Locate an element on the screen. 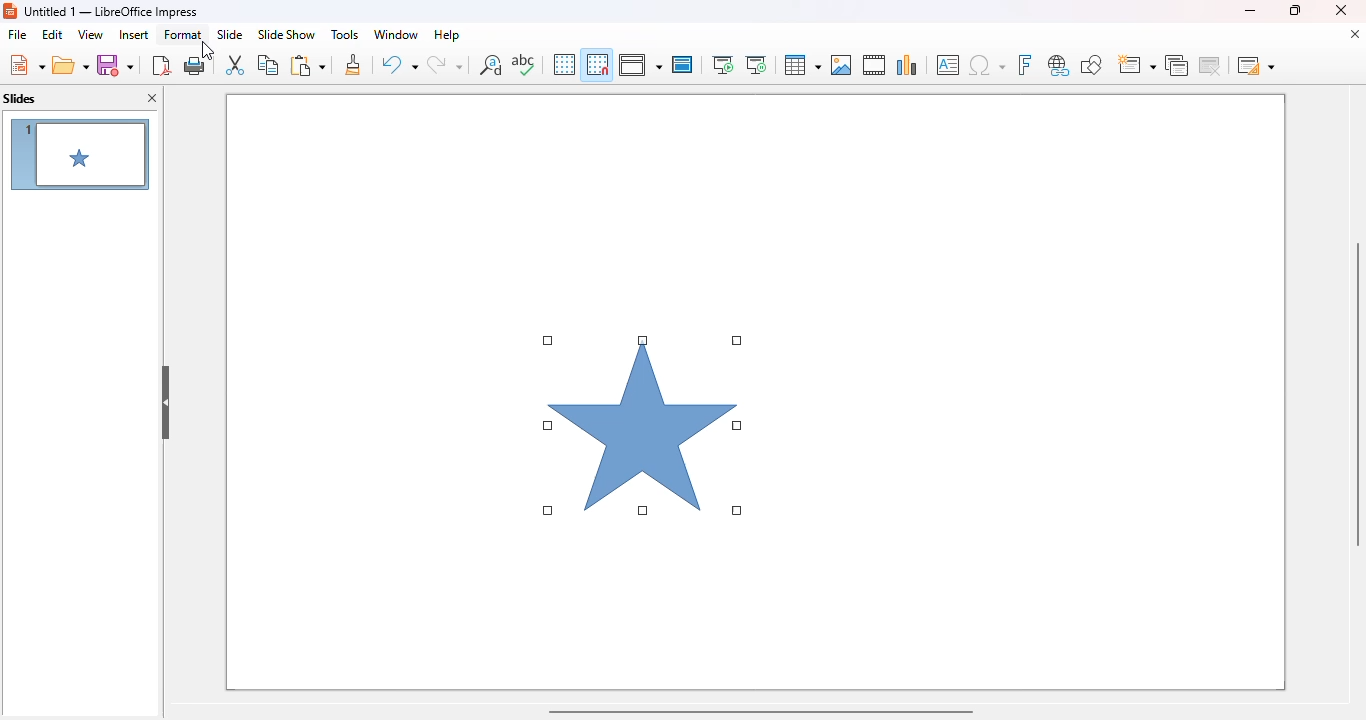  new is located at coordinates (26, 65).